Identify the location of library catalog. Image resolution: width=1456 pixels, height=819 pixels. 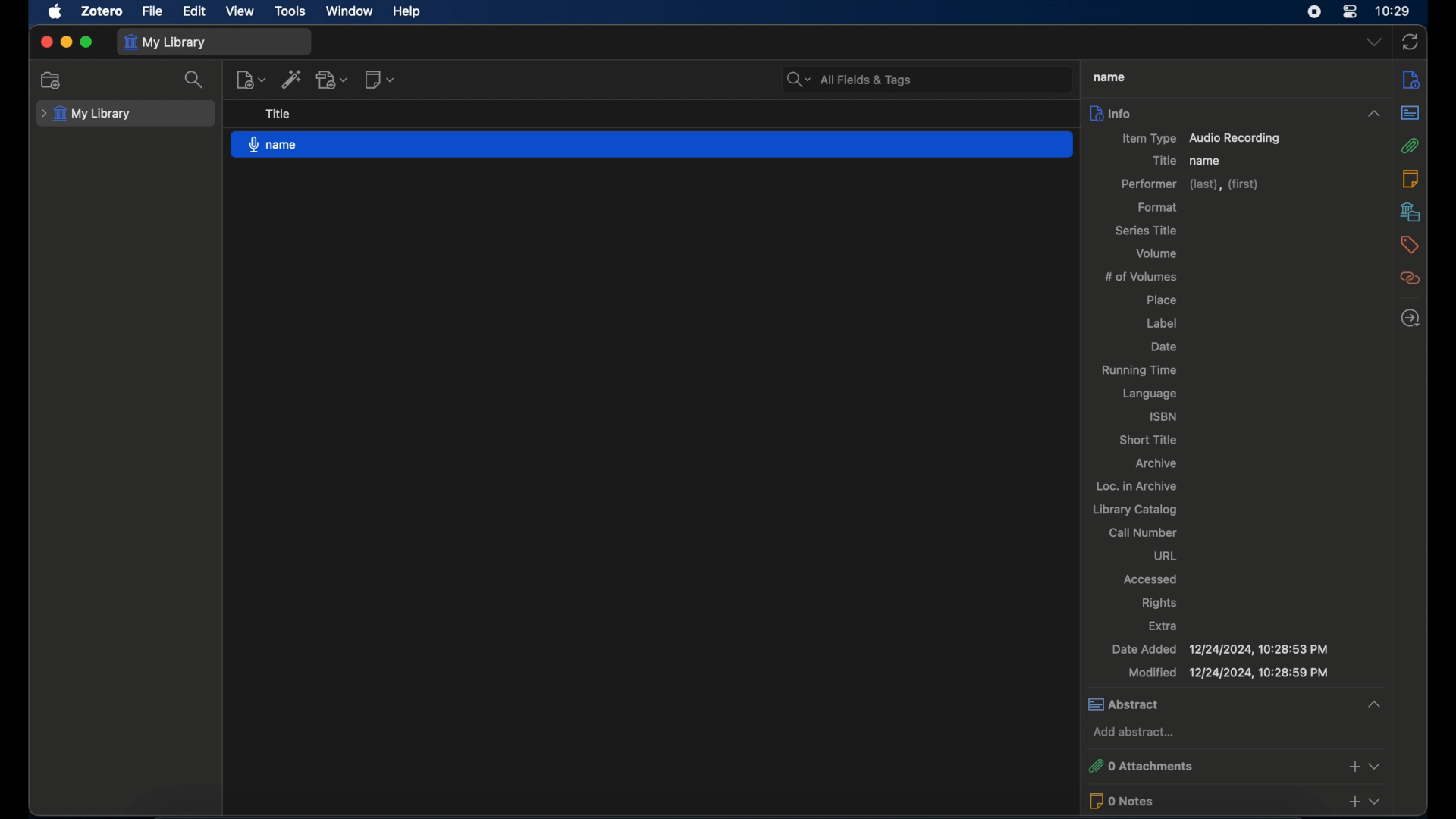
(1136, 510).